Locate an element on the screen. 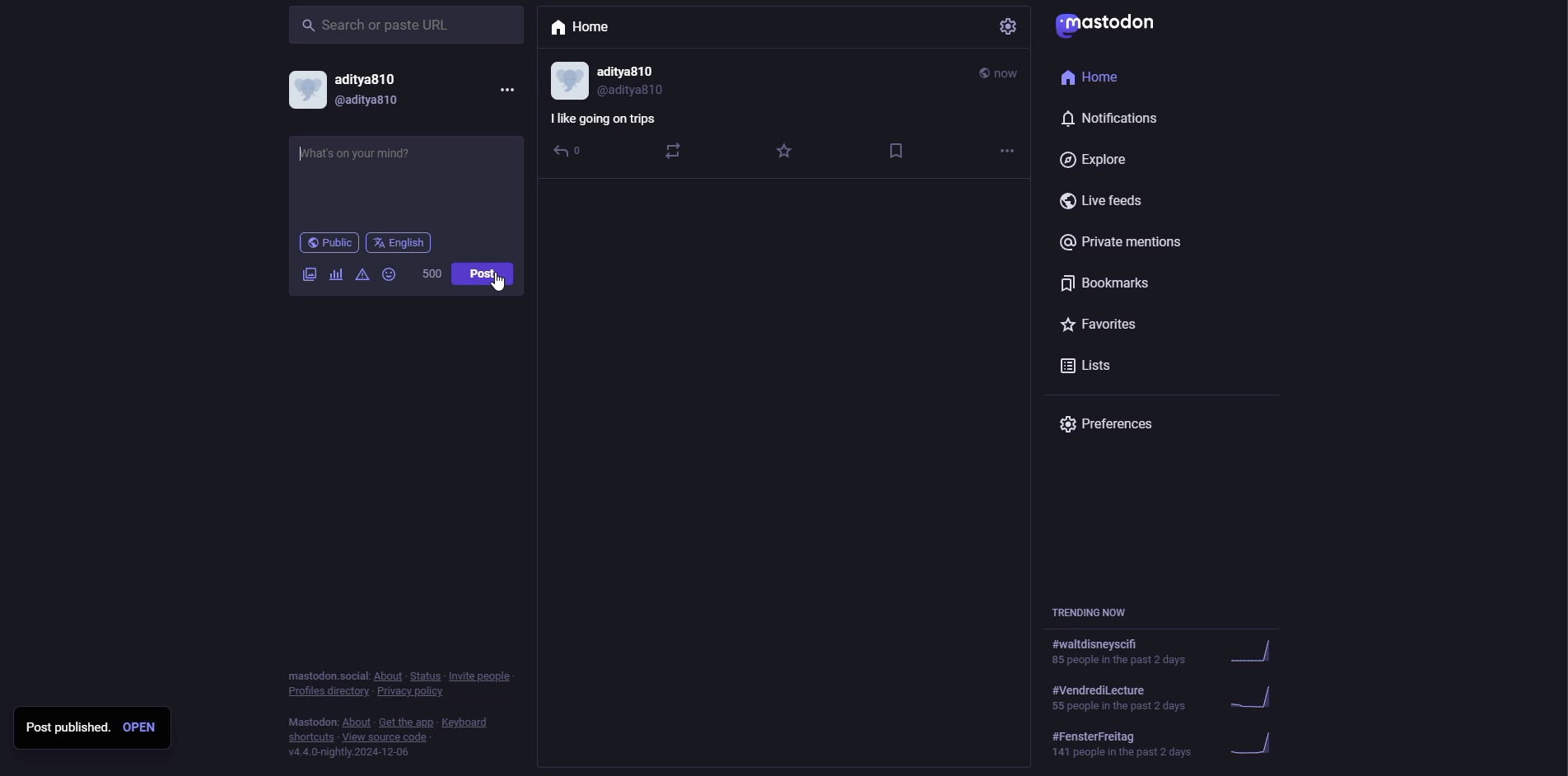 The image size is (1568, 776). live feeds is located at coordinates (1110, 203).